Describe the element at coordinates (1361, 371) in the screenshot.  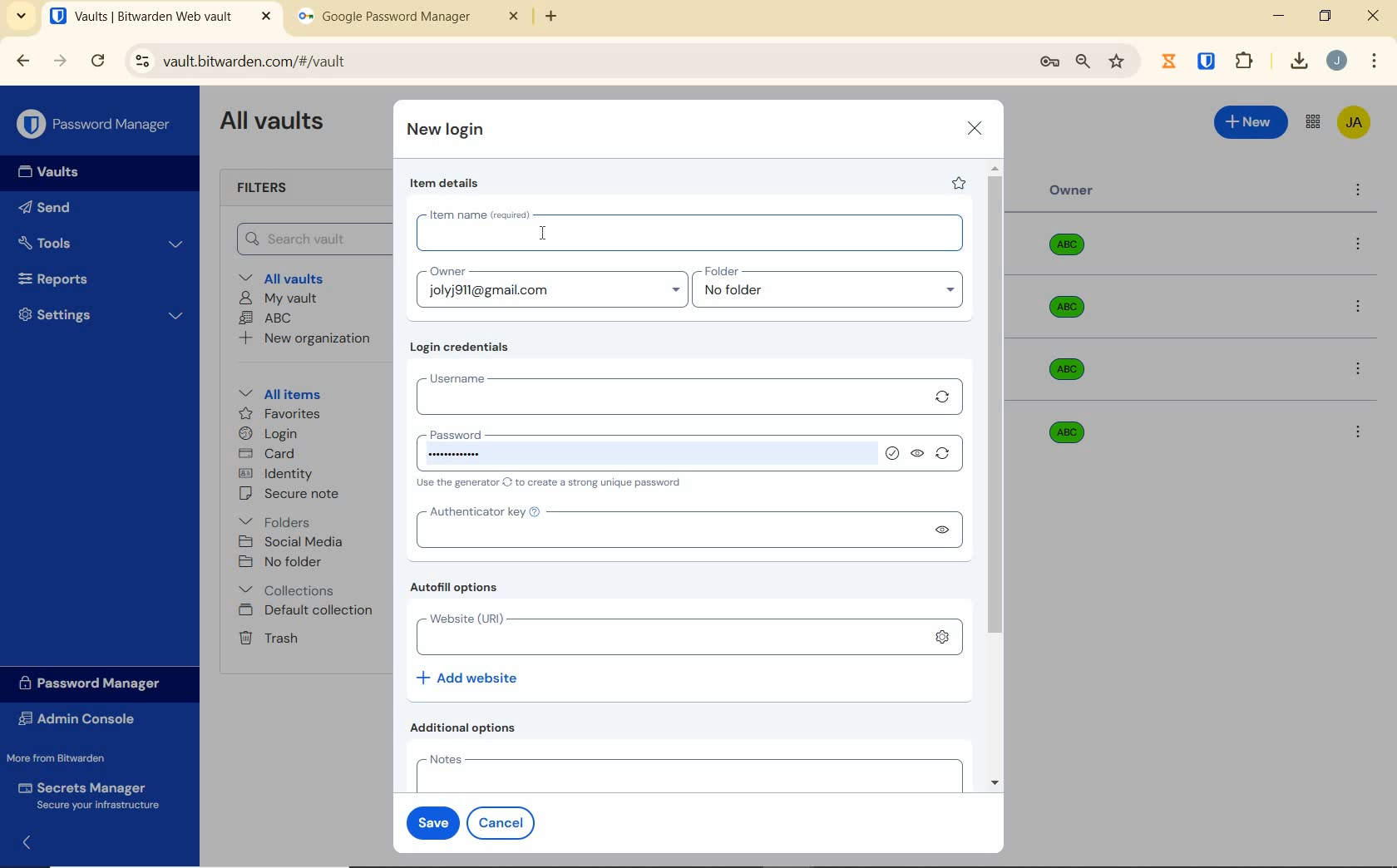
I see `option` at that location.